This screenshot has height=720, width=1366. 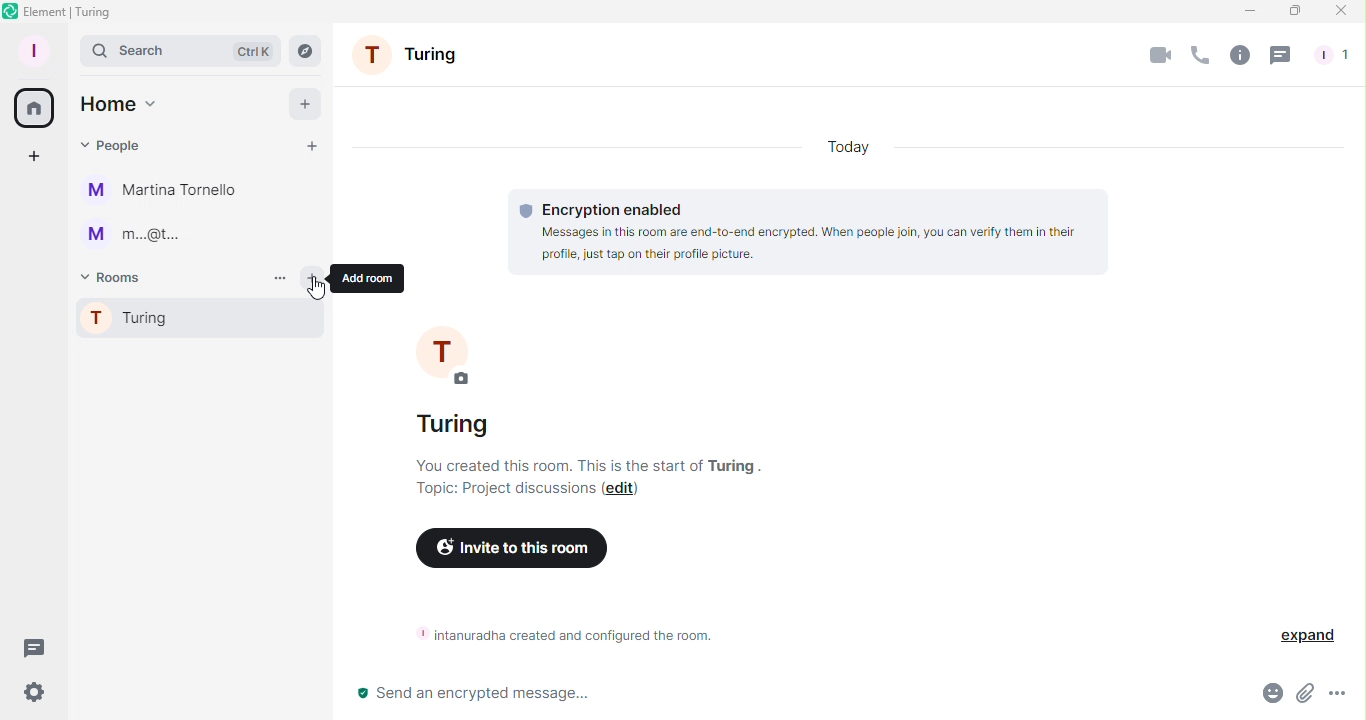 What do you see at coordinates (1340, 699) in the screenshot?
I see `More options` at bounding box center [1340, 699].